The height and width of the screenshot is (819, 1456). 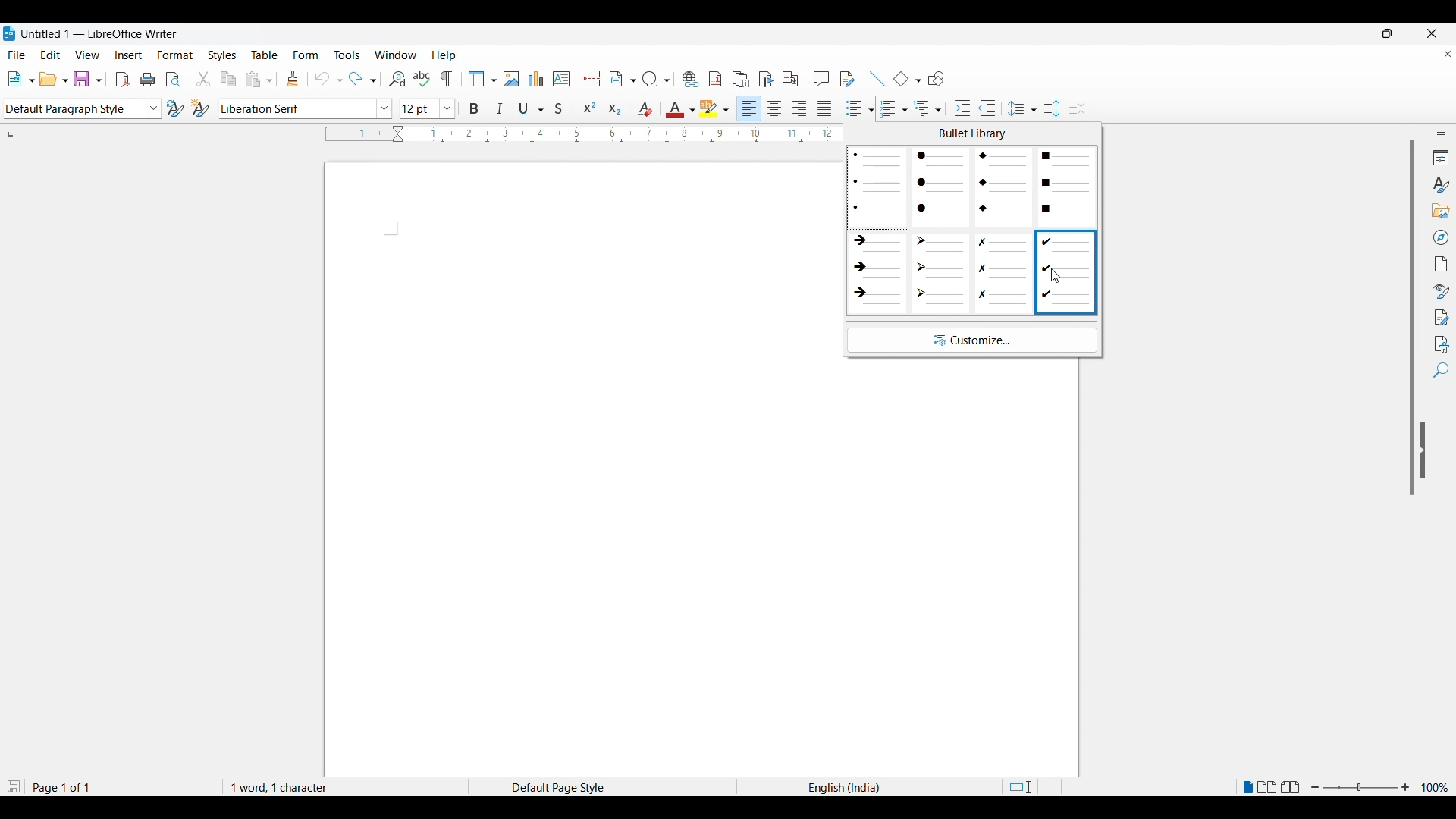 I want to click on Find, so click(x=1439, y=373).